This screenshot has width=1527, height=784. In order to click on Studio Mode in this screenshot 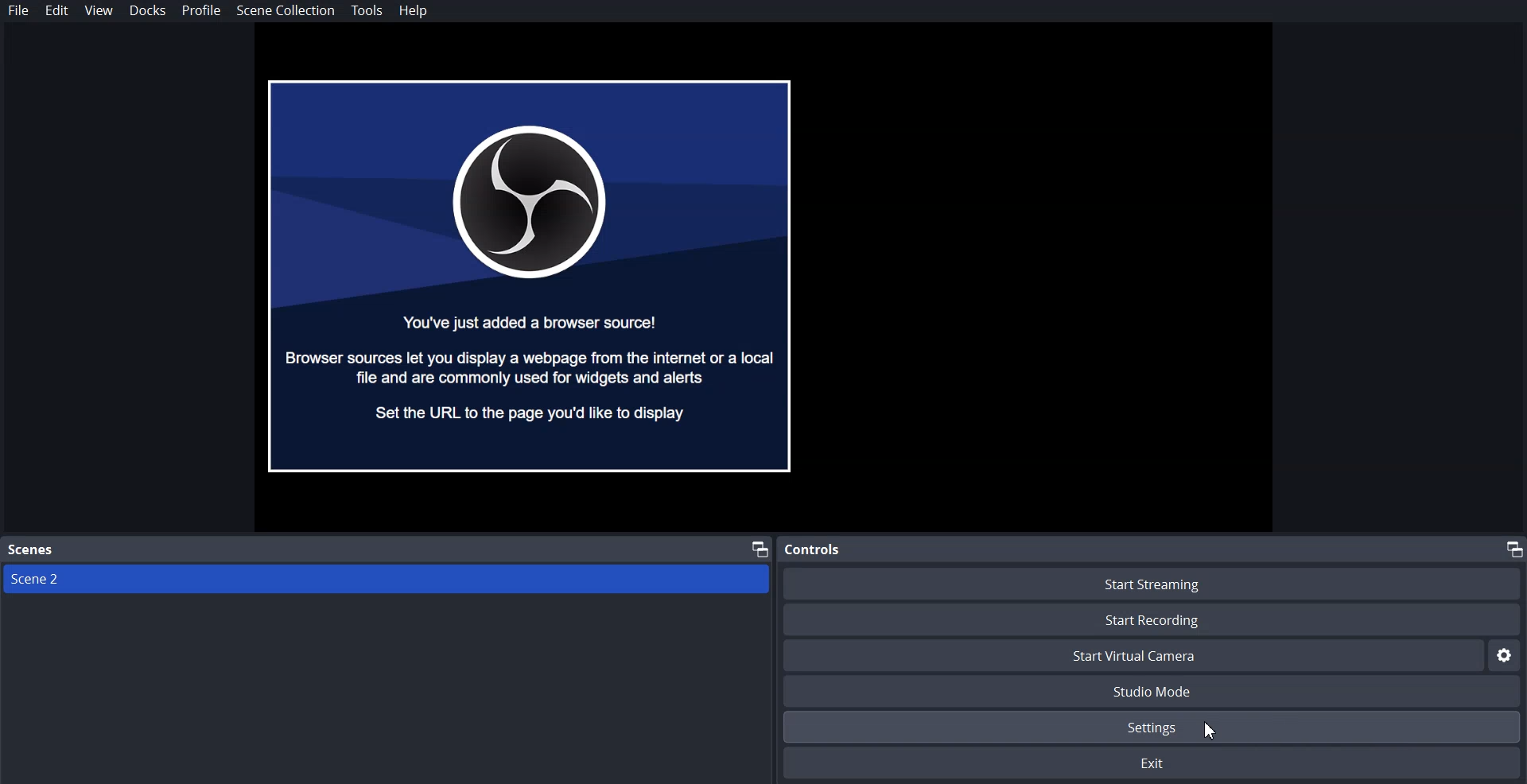, I will do `click(1153, 690)`.